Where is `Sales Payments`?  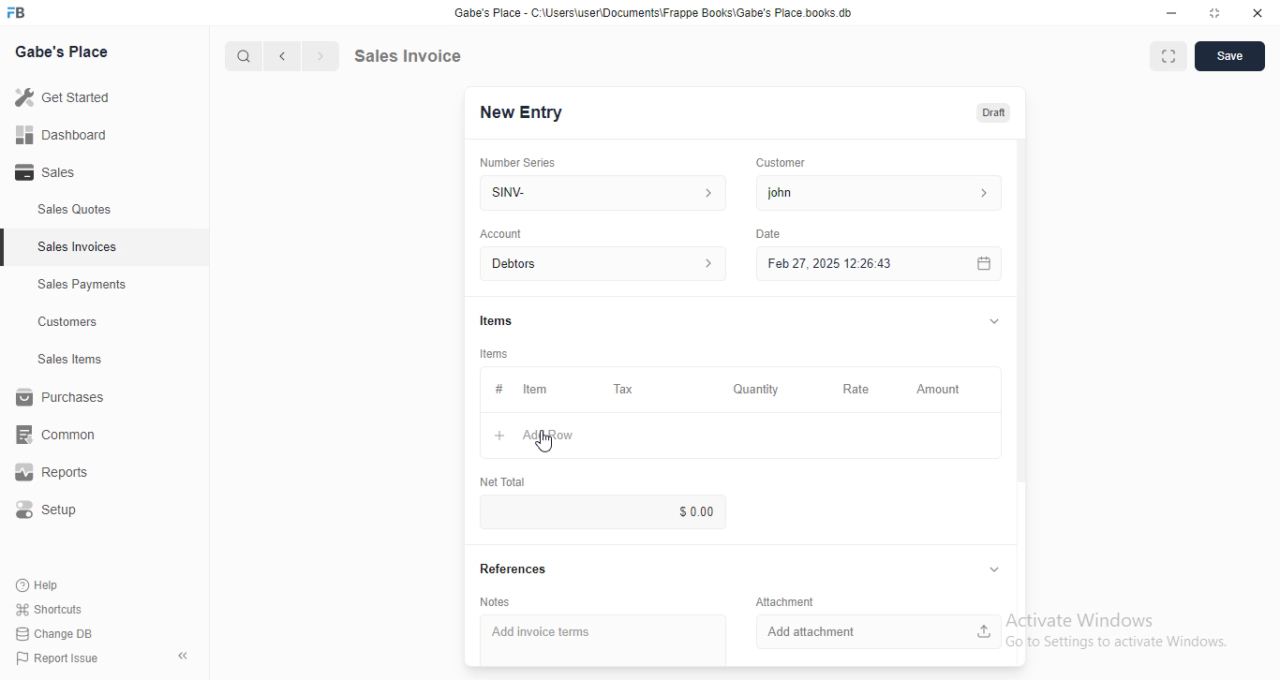 Sales Payments is located at coordinates (82, 285).